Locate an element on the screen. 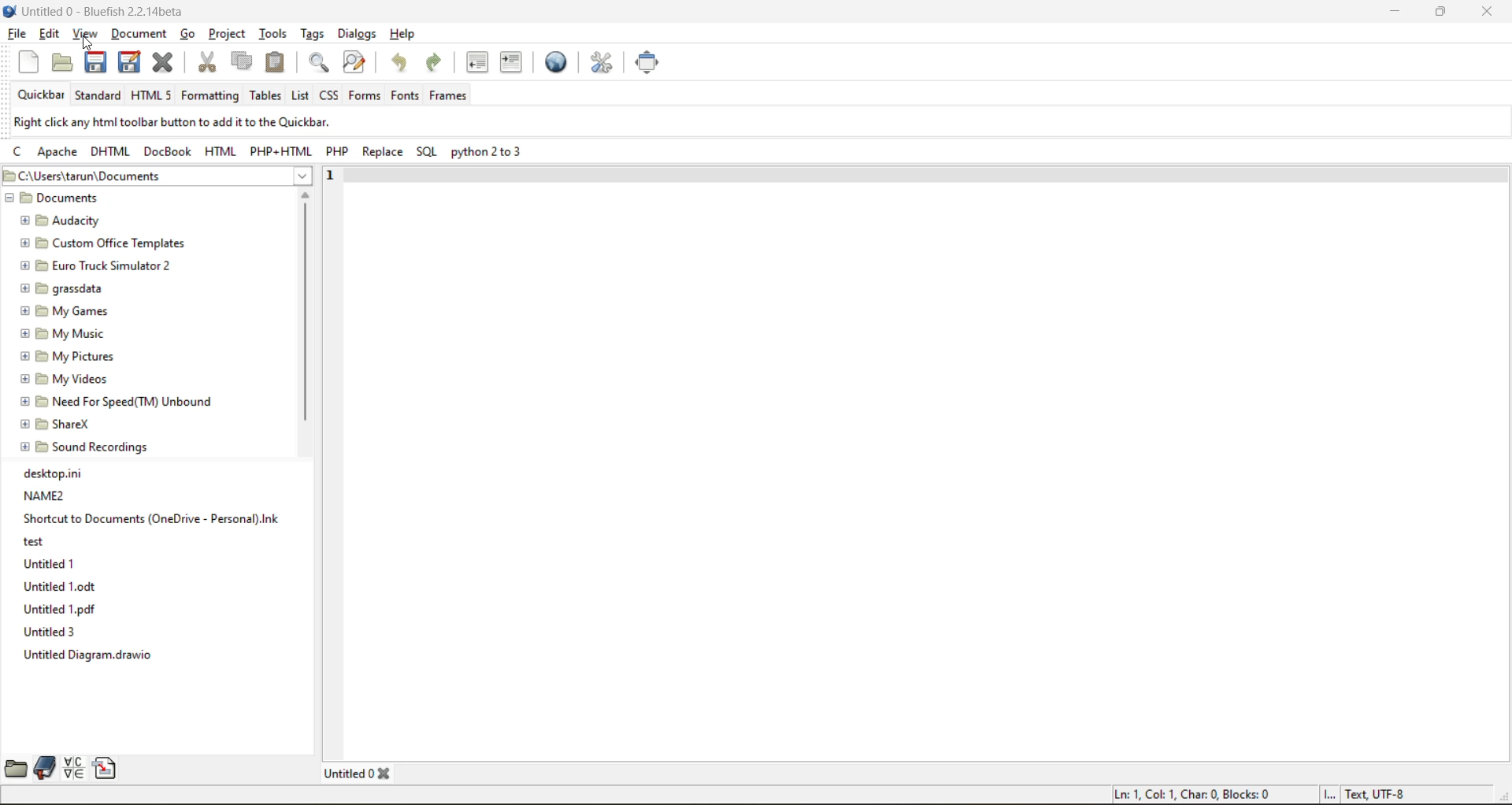 This screenshot has height=805, width=1512. c is located at coordinates (18, 154).